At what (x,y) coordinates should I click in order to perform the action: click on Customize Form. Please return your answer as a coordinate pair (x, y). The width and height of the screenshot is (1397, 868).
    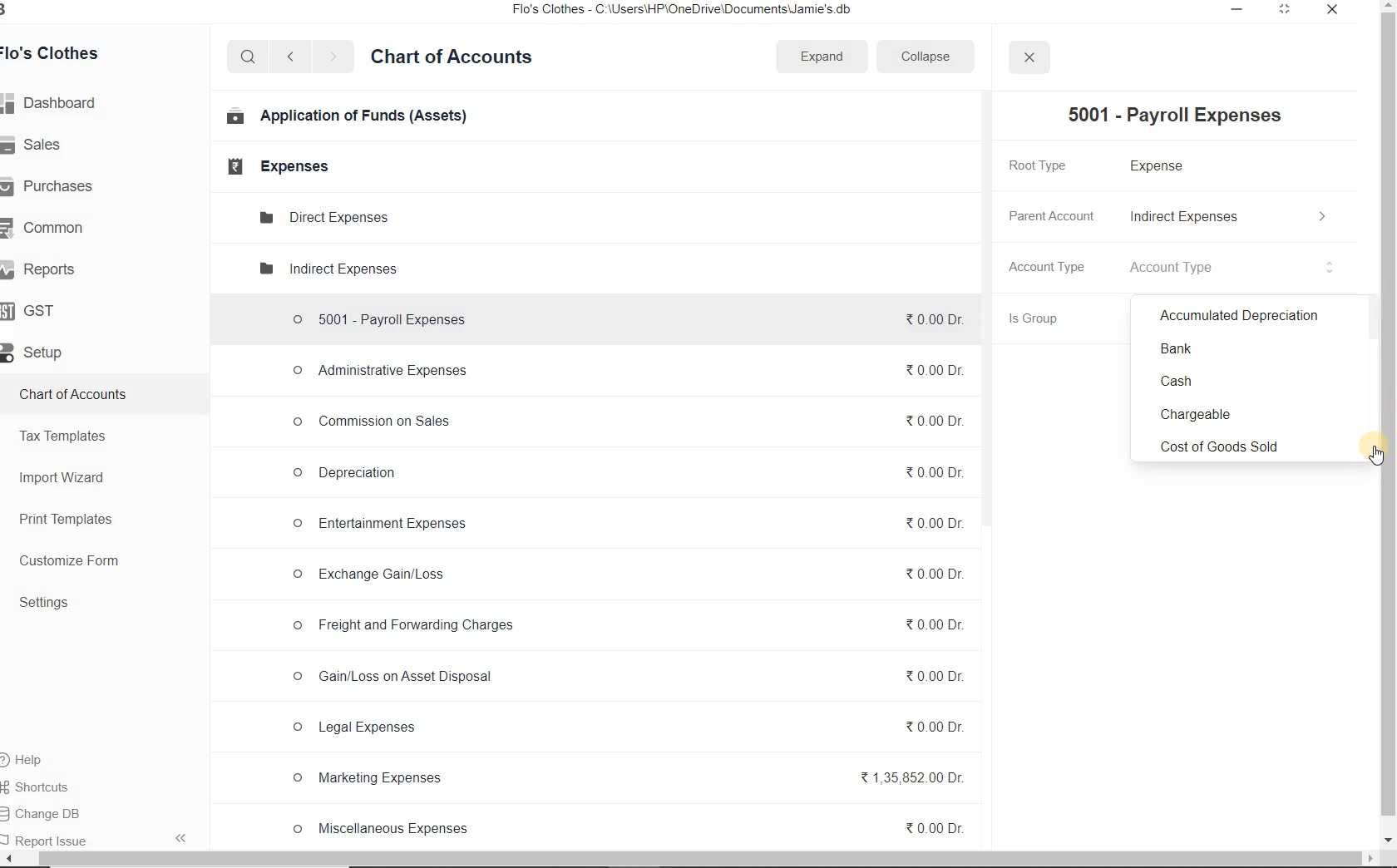
    Looking at the image, I should click on (70, 560).